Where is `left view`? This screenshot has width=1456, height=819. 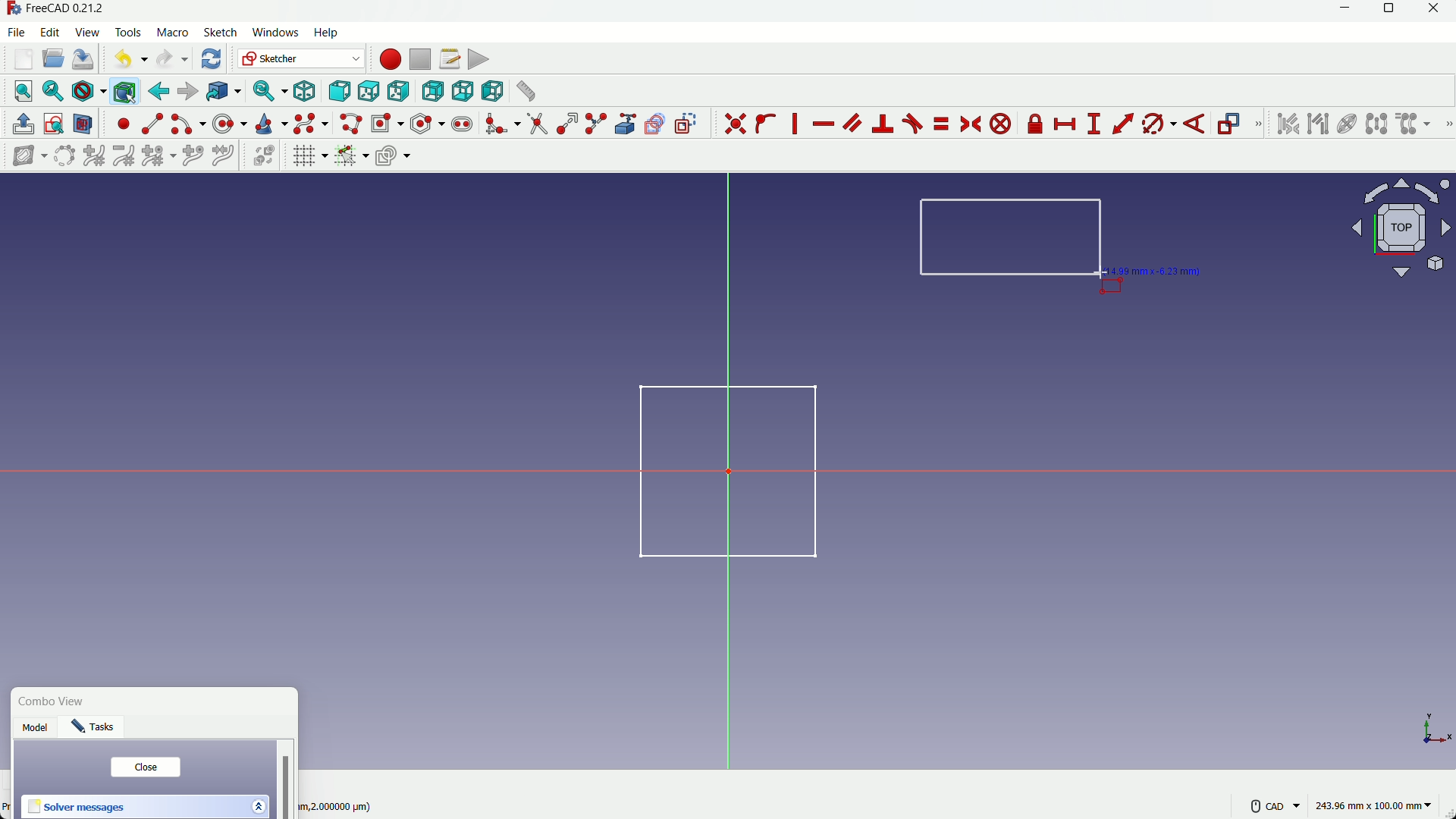 left view is located at coordinates (490, 90).